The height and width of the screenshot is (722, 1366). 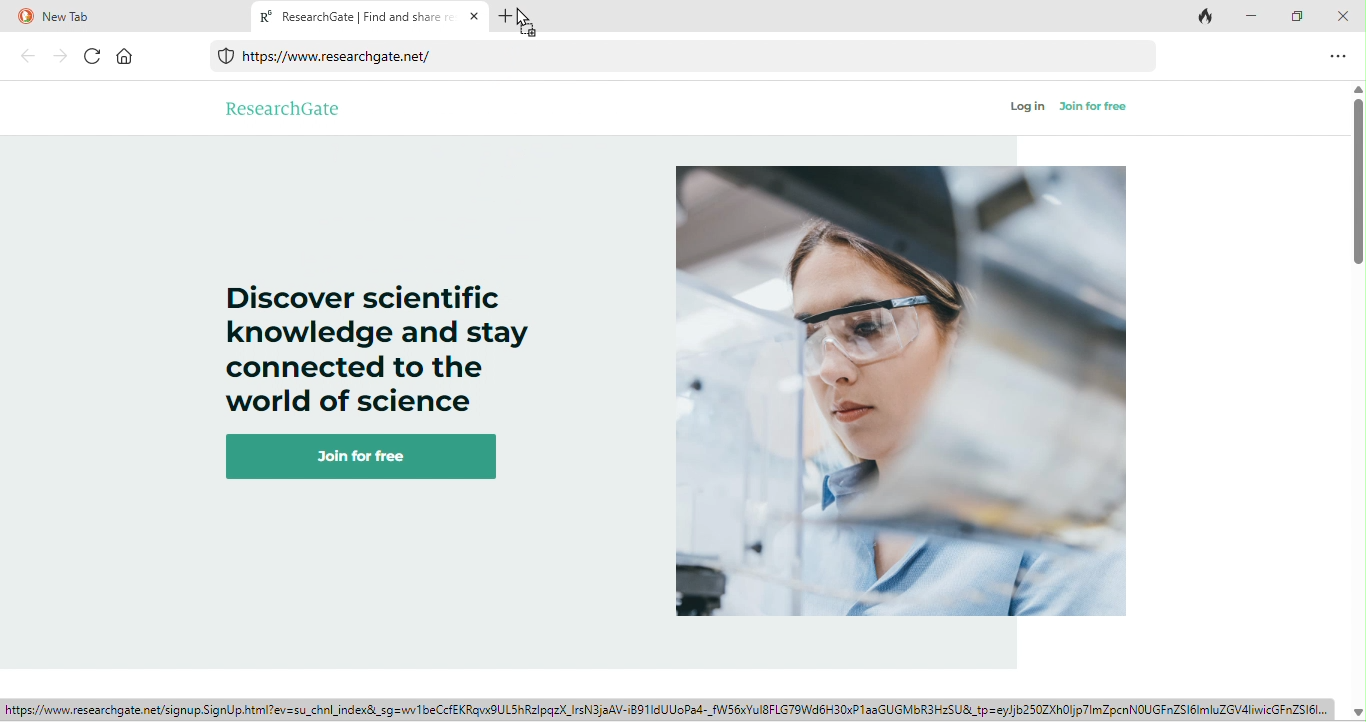 What do you see at coordinates (29, 56) in the screenshot?
I see `back` at bounding box center [29, 56].